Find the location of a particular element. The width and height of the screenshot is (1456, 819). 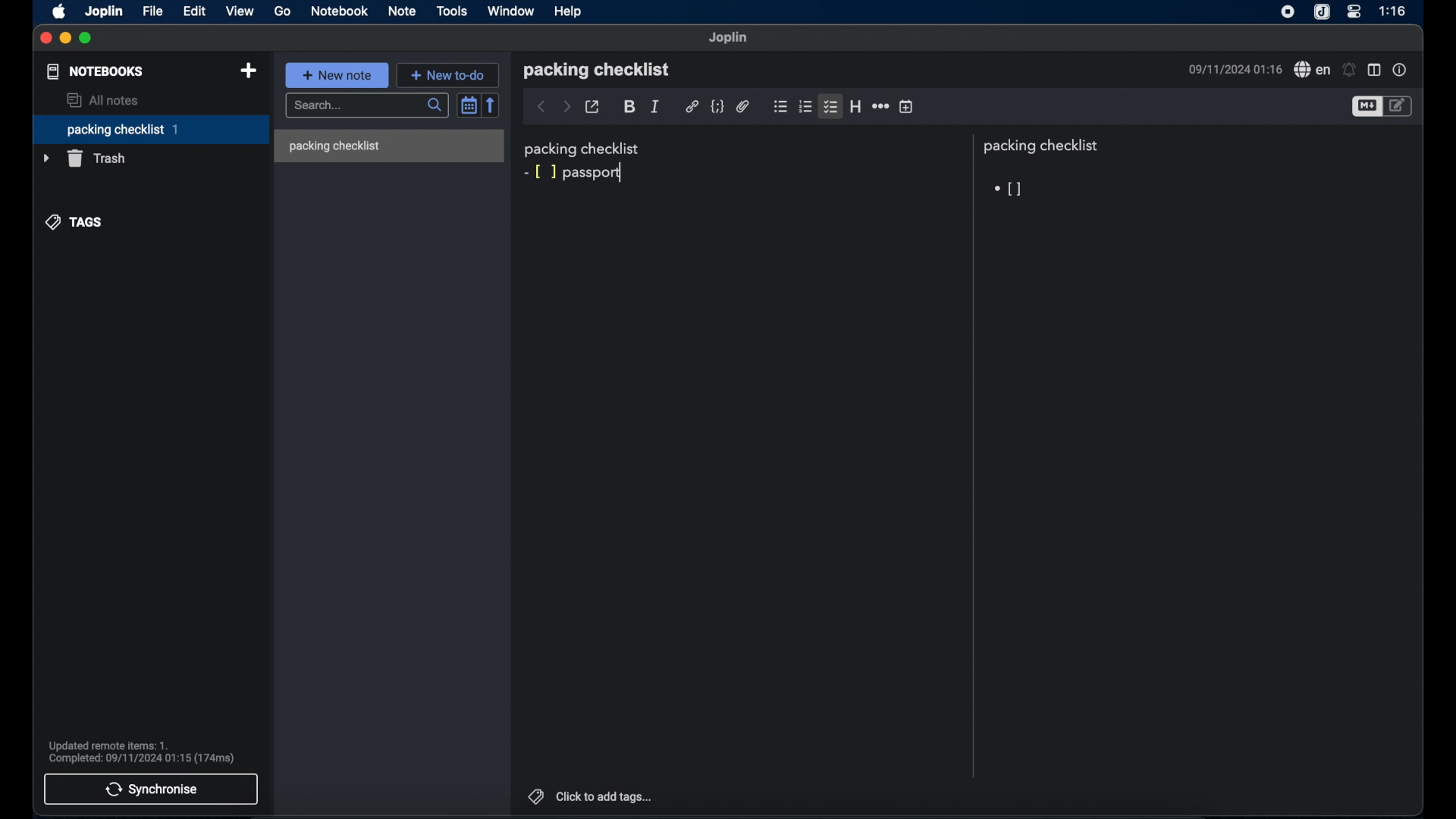

attach file is located at coordinates (742, 106).